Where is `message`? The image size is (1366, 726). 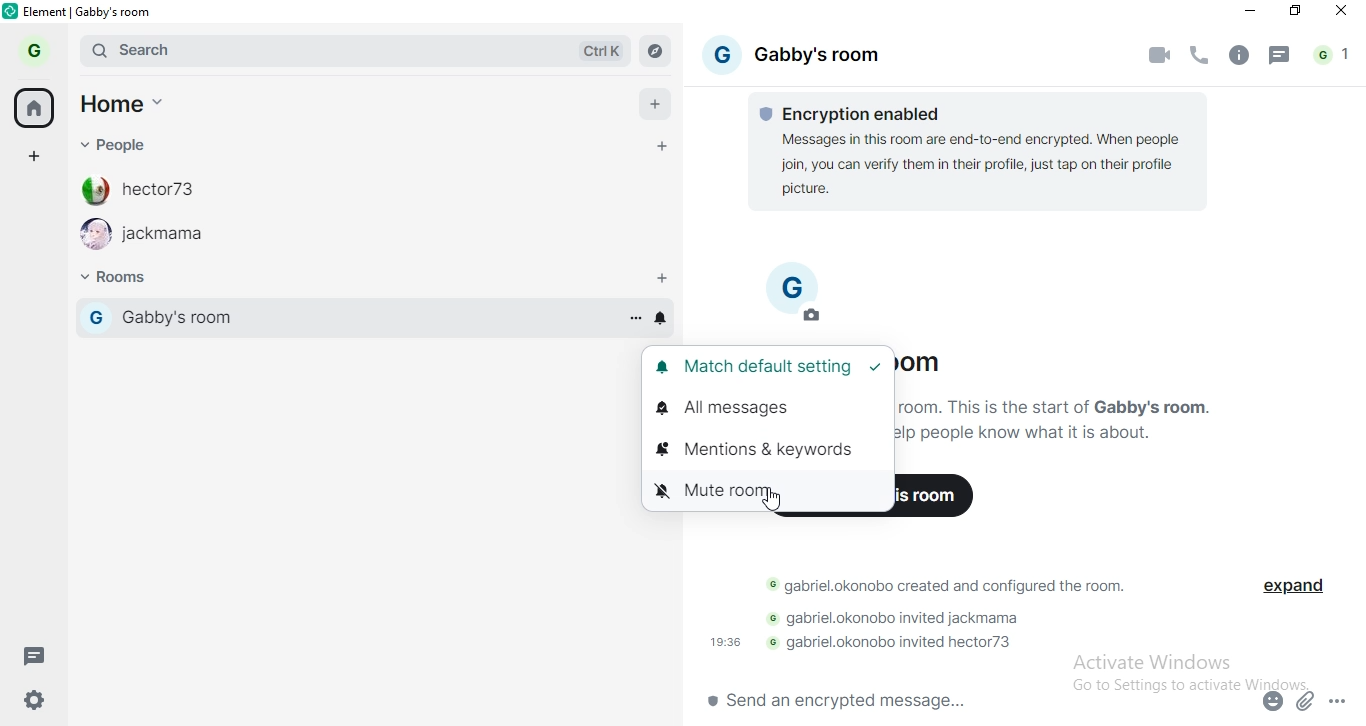 message is located at coordinates (1284, 52).